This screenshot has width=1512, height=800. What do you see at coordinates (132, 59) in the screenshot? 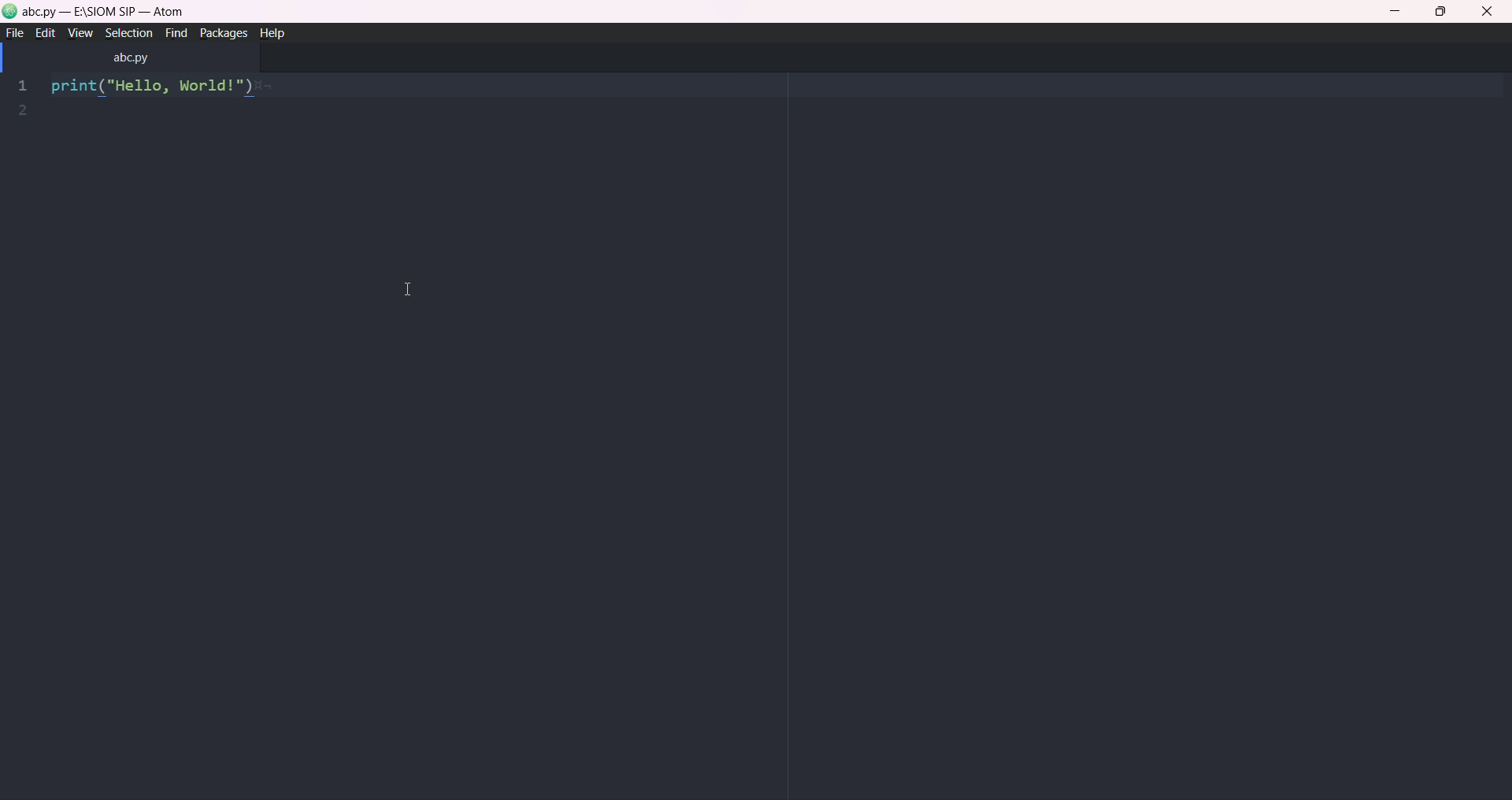
I see `new tab name` at bounding box center [132, 59].